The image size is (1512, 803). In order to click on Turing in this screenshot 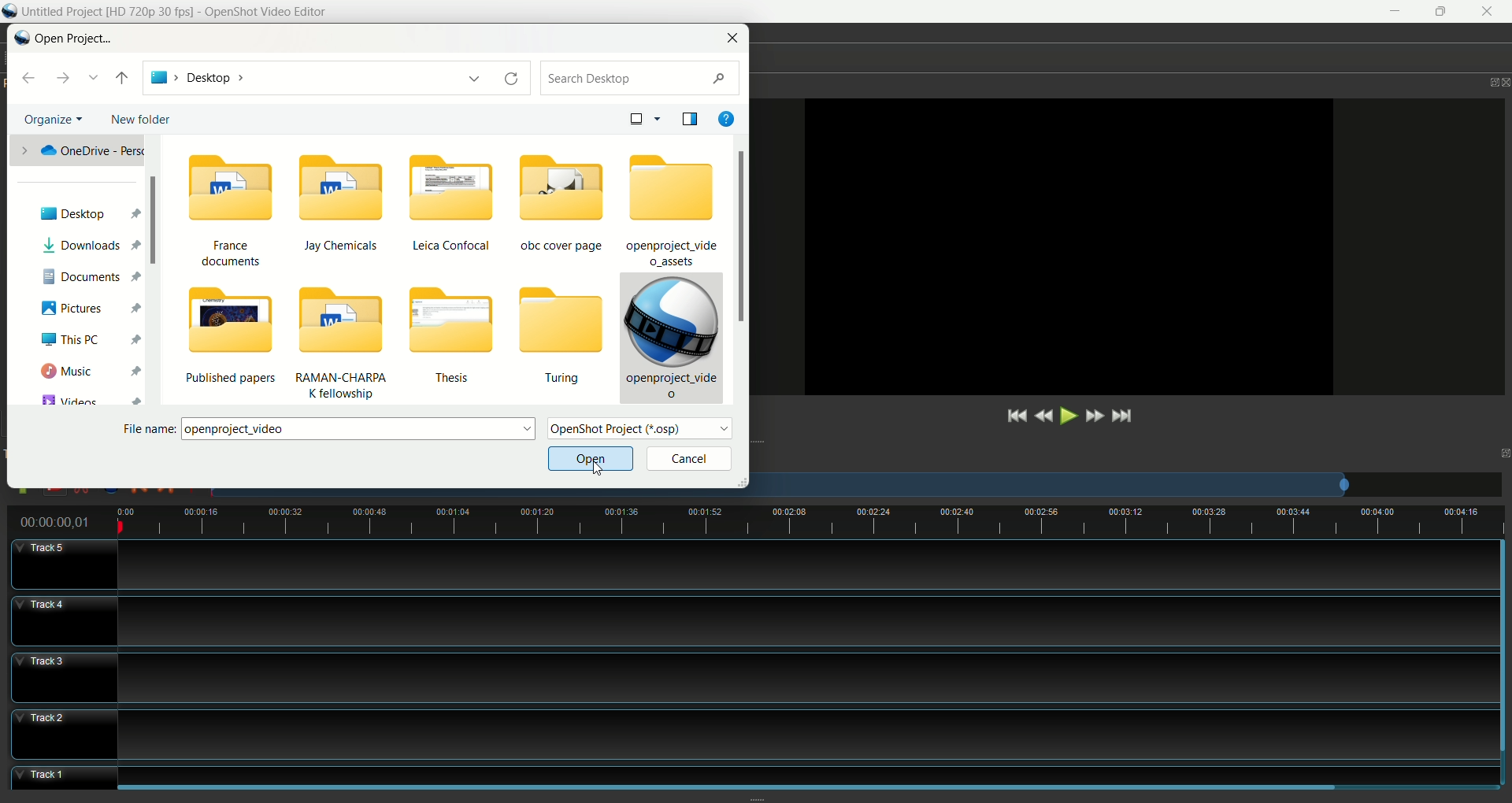, I will do `click(559, 338)`.